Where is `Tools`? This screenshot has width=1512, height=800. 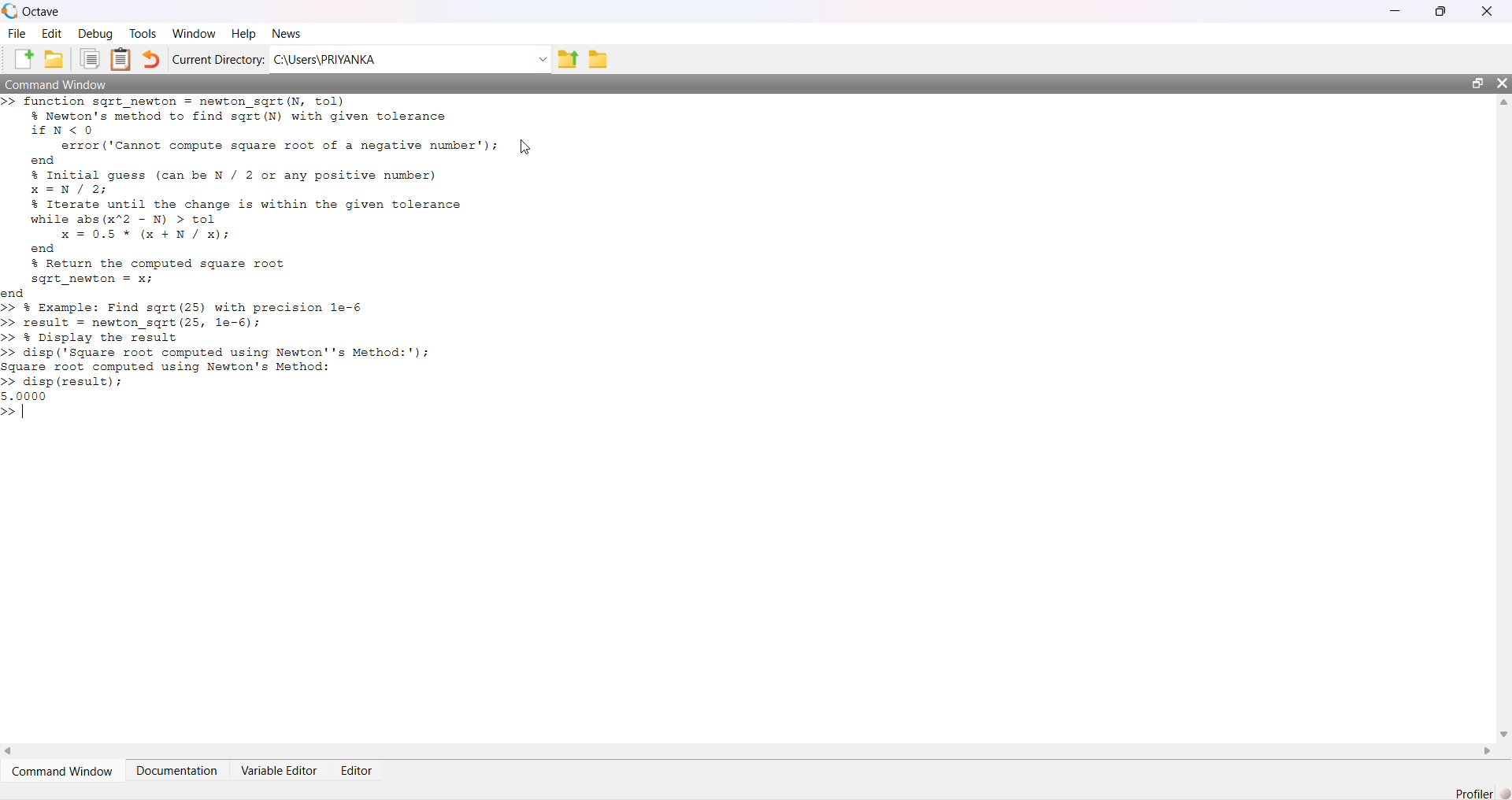
Tools is located at coordinates (143, 34).